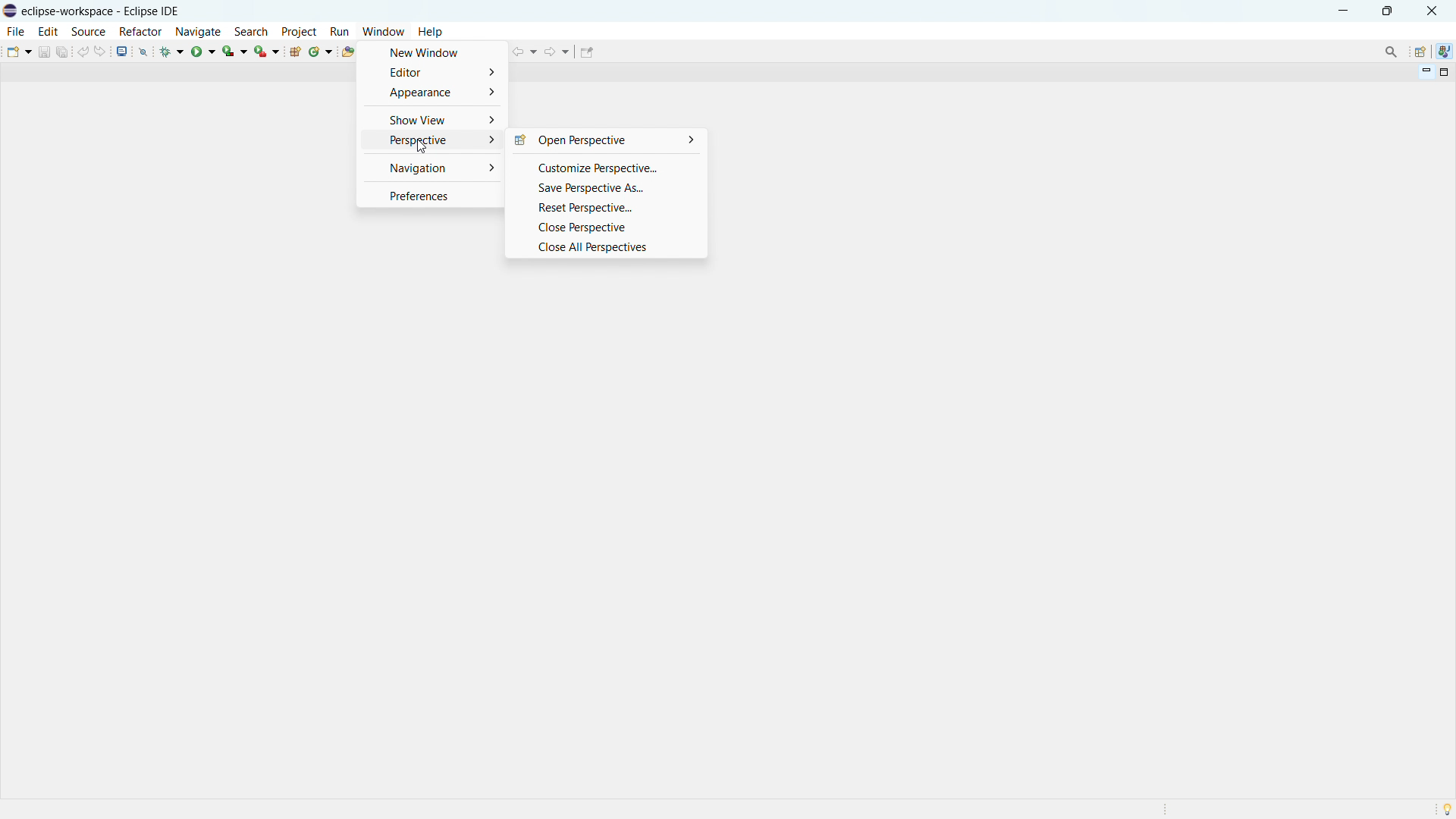 Image resolution: width=1456 pixels, height=819 pixels. What do you see at coordinates (203, 51) in the screenshot?
I see `run` at bounding box center [203, 51].